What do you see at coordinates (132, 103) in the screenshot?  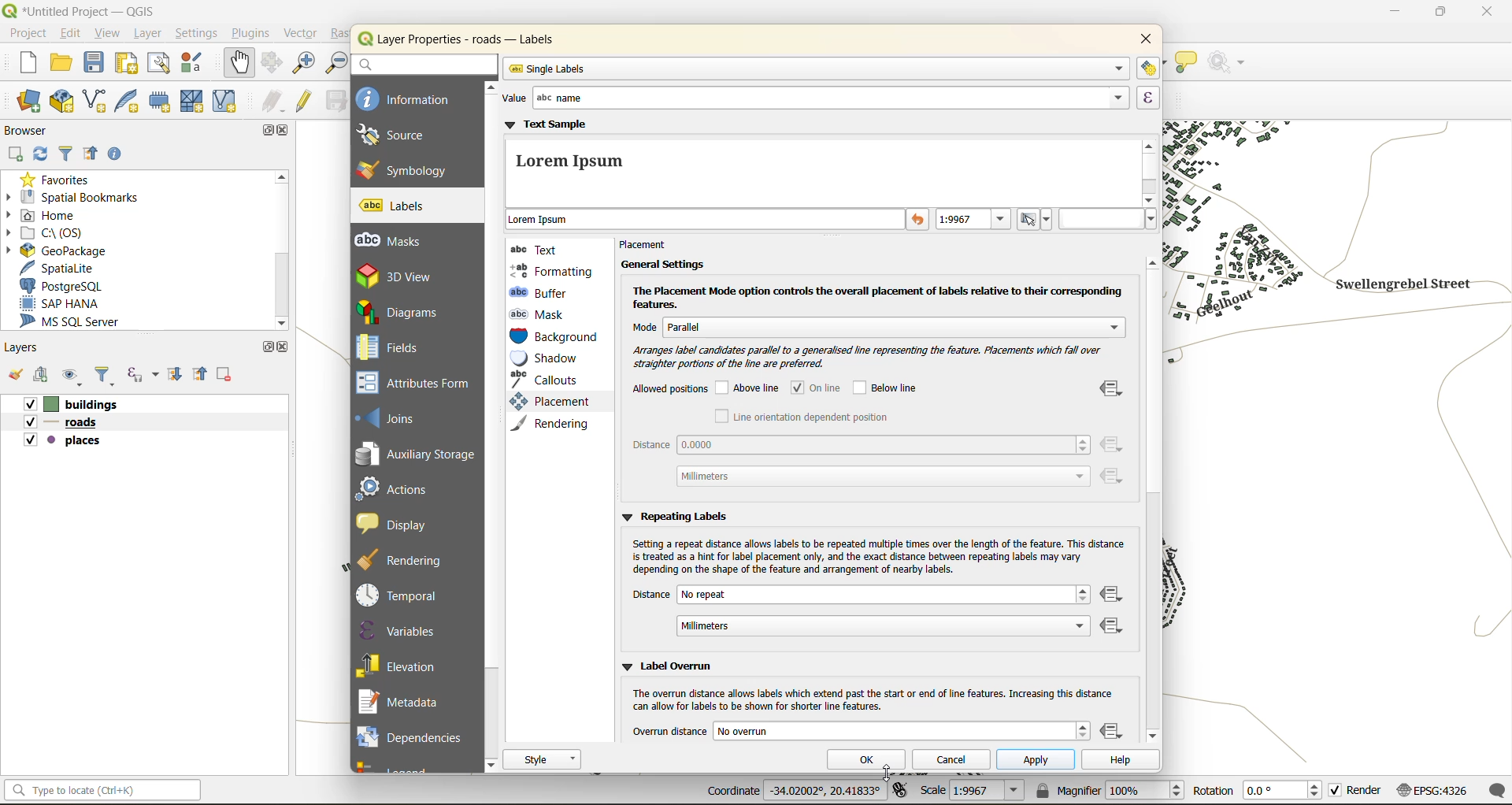 I see `new spatialite layer` at bounding box center [132, 103].